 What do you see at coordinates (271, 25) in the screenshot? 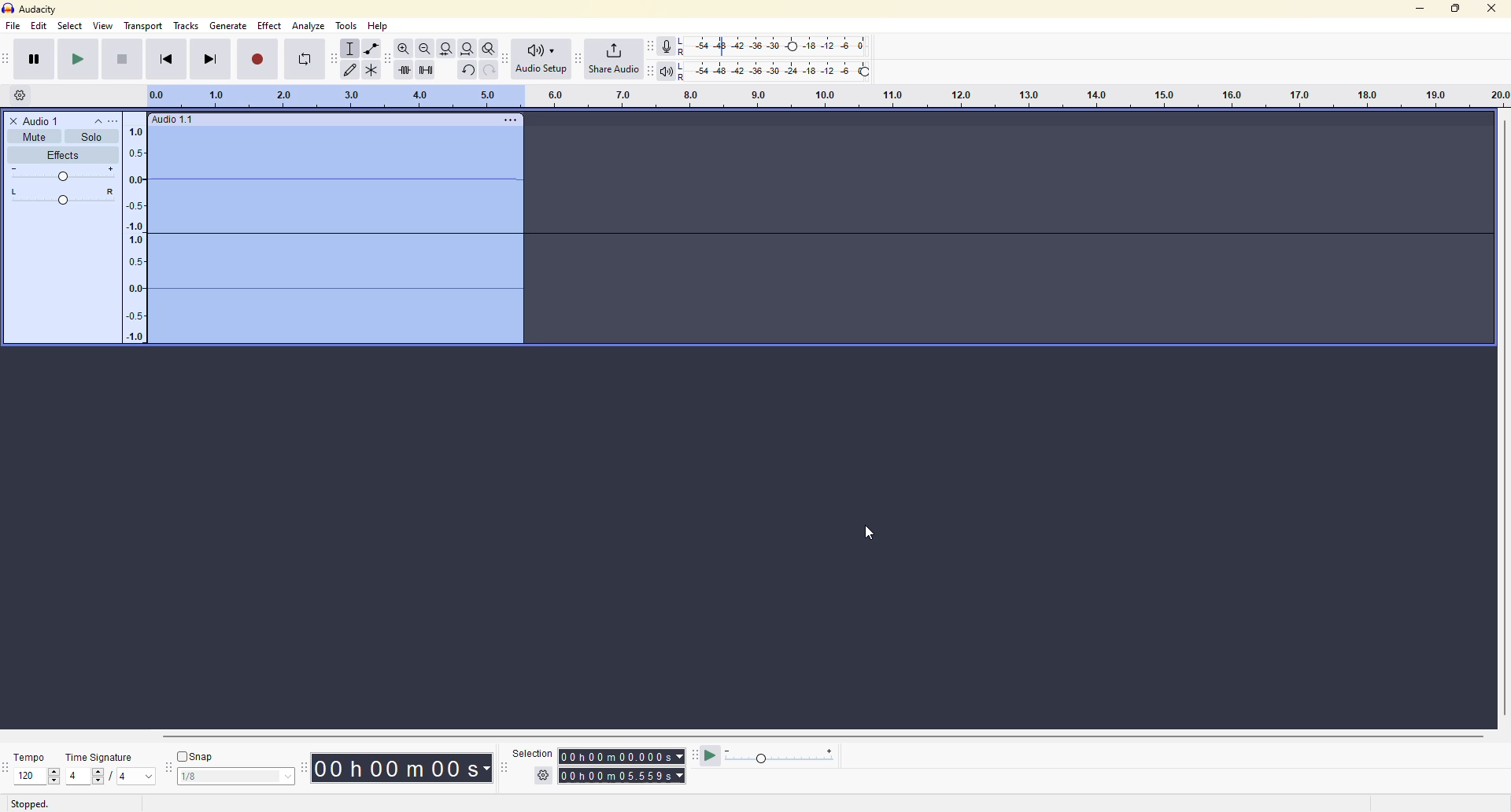
I see `effect` at bounding box center [271, 25].